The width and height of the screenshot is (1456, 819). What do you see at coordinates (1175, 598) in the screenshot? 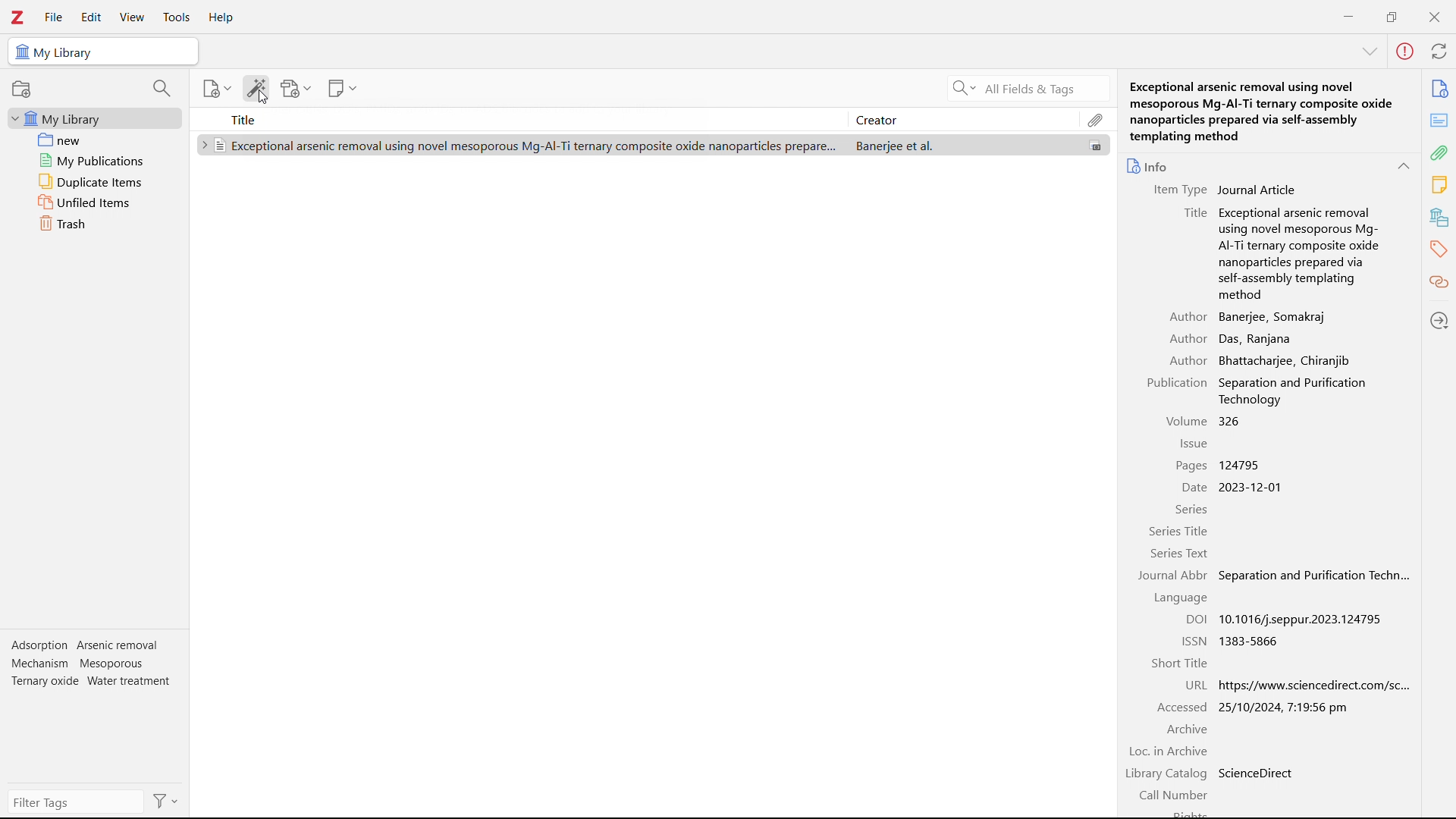
I see `Language` at bounding box center [1175, 598].